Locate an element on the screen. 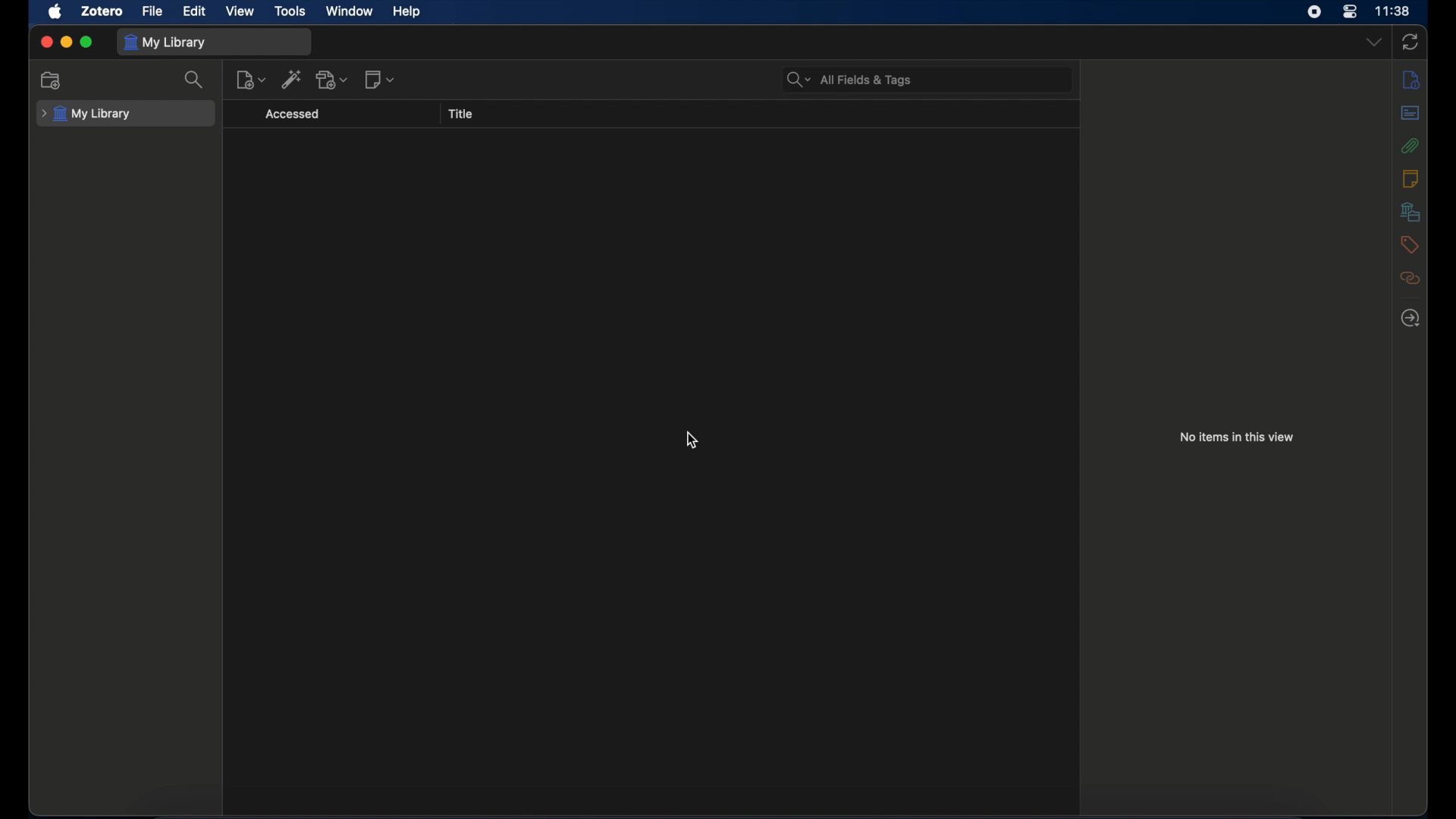 The height and width of the screenshot is (819, 1456). no items in this view is located at coordinates (1238, 437).